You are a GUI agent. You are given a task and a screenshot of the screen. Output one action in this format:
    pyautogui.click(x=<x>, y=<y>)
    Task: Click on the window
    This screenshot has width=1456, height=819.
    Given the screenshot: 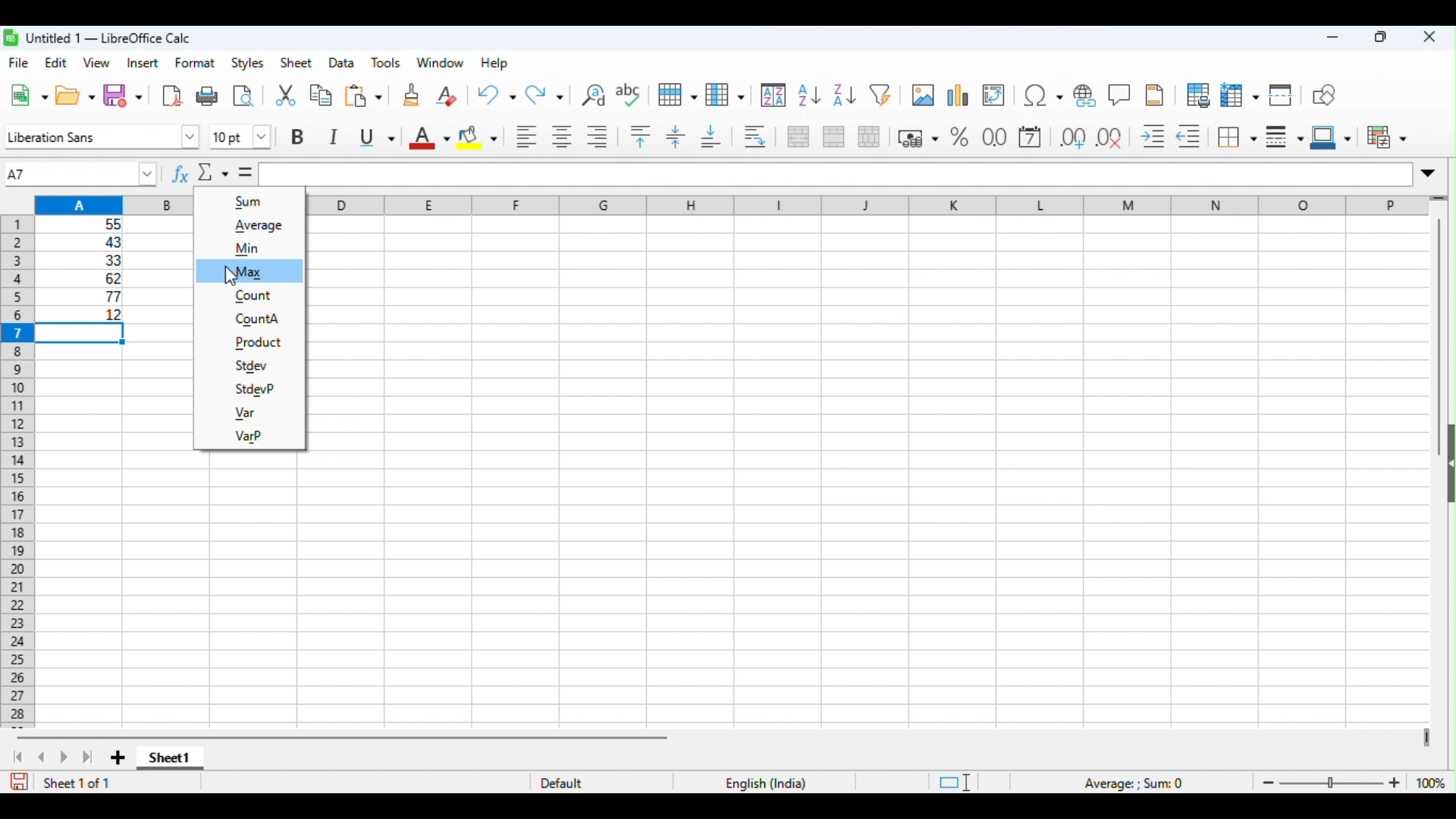 What is the action you would take?
    pyautogui.click(x=440, y=62)
    